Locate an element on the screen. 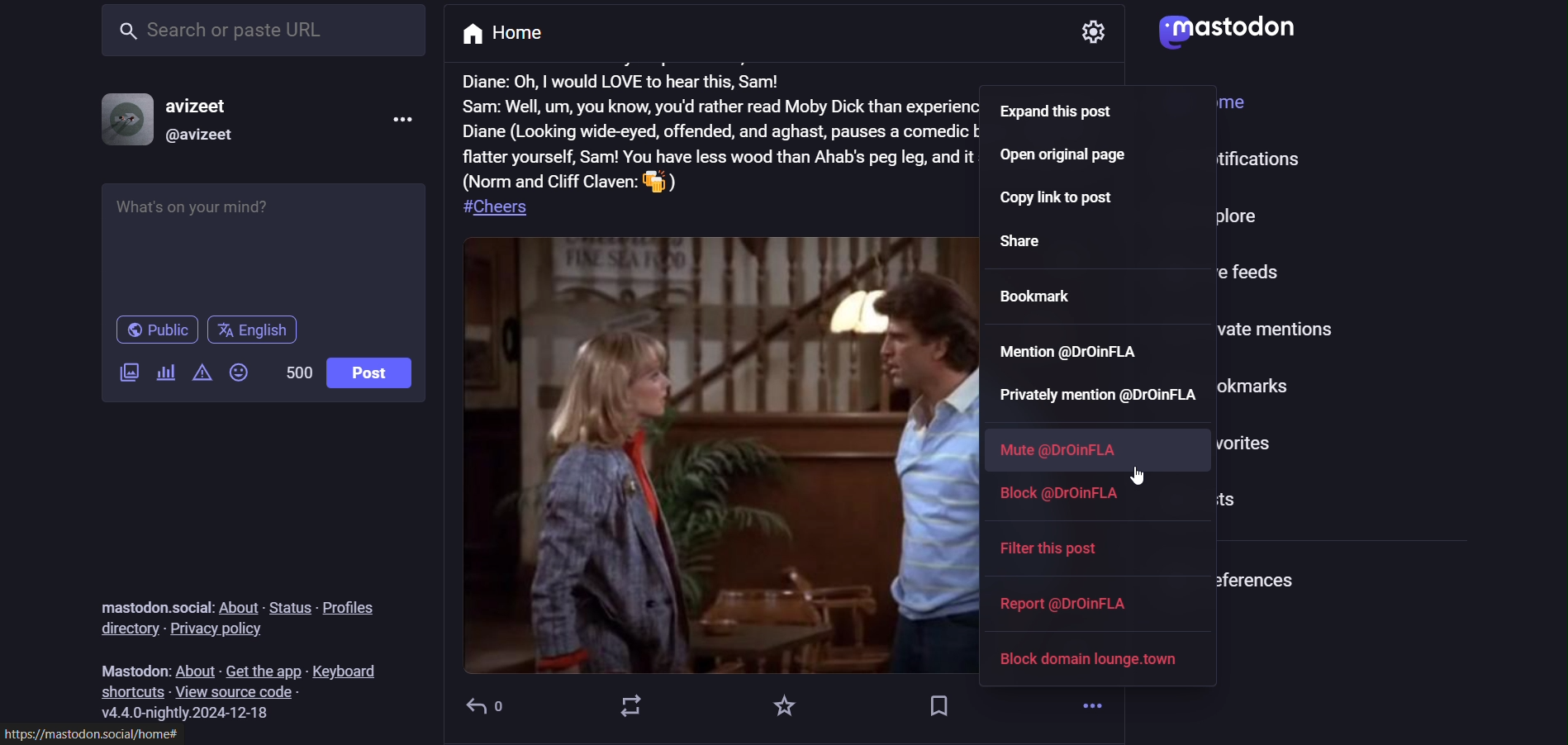 Image resolution: width=1568 pixels, height=745 pixels. get the app is located at coordinates (265, 667).